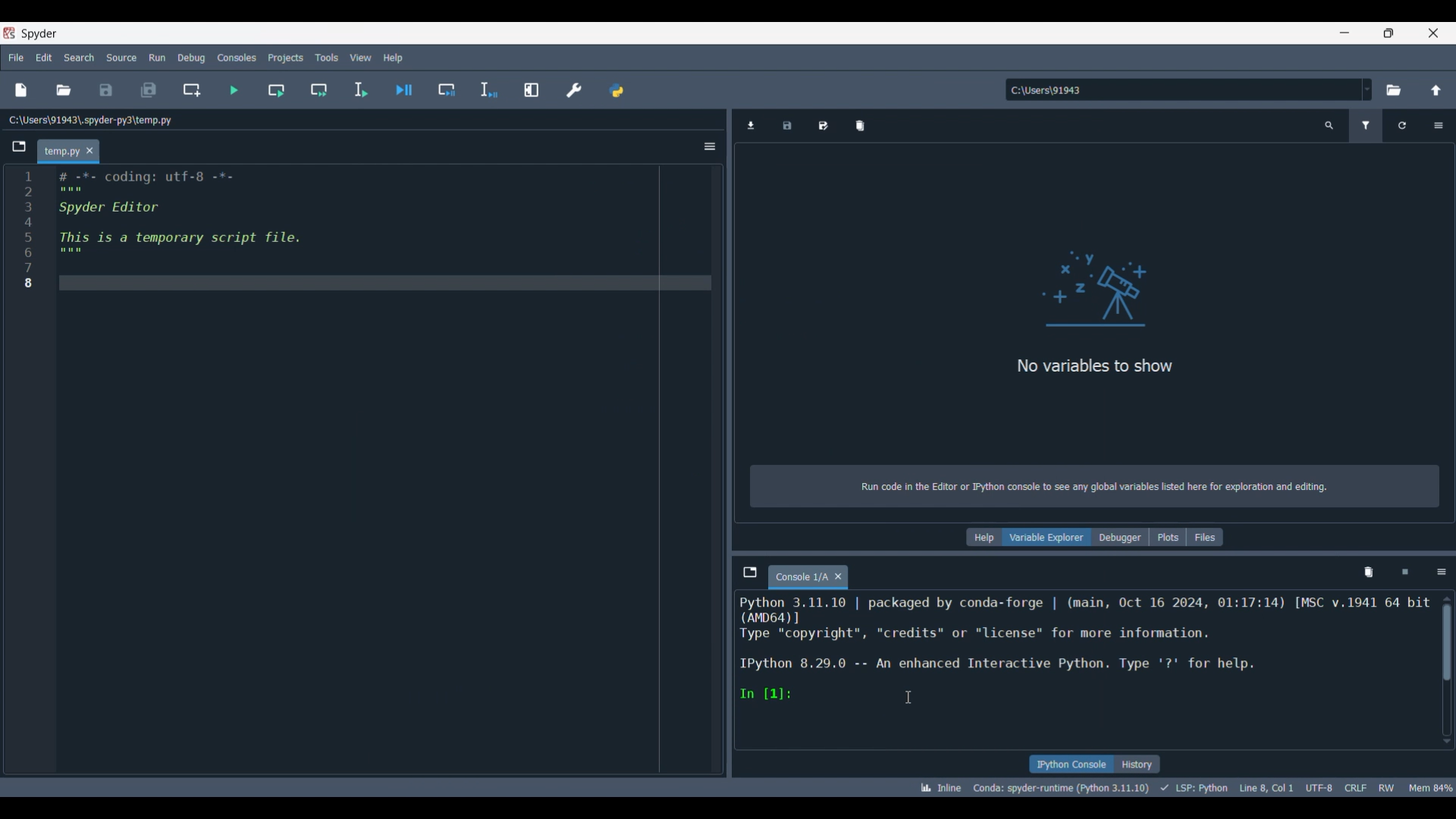 This screenshot has width=1456, height=819. What do you see at coordinates (1345, 33) in the screenshot?
I see `Minimize` at bounding box center [1345, 33].